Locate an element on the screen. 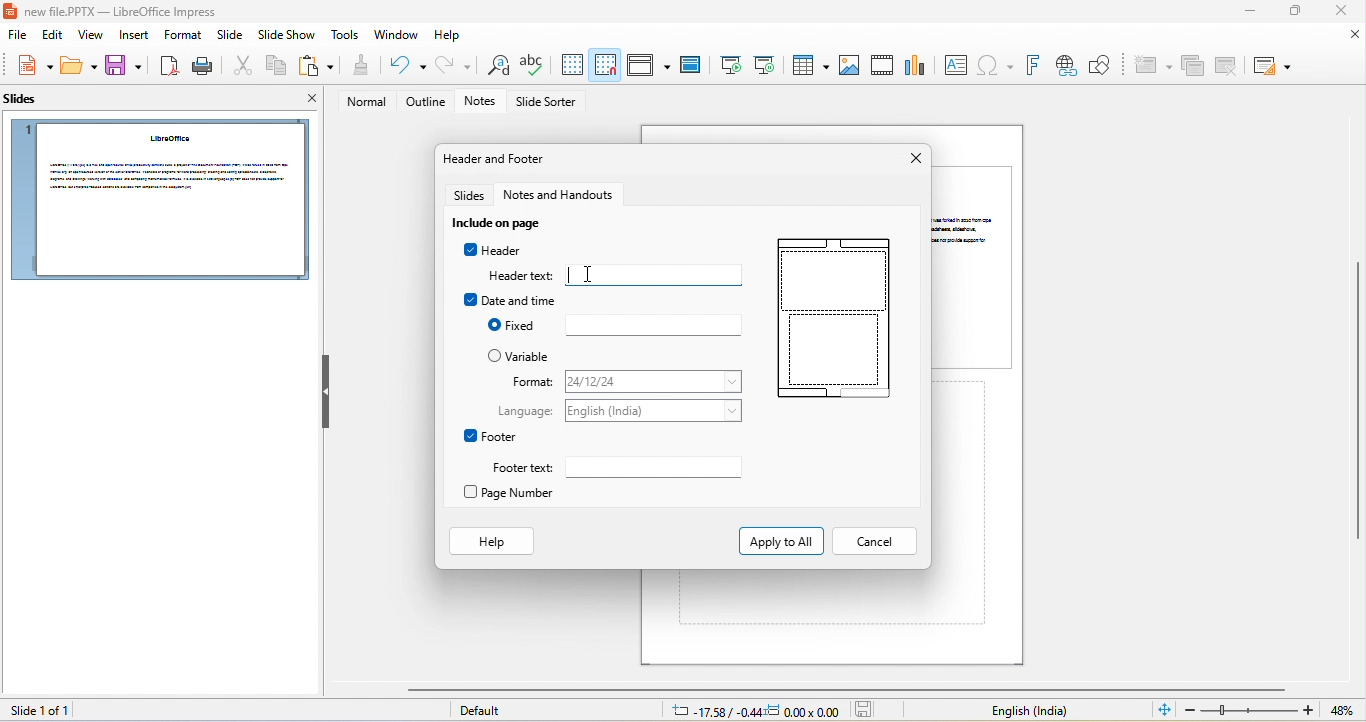 This screenshot has width=1366, height=722. close is located at coordinates (304, 101).